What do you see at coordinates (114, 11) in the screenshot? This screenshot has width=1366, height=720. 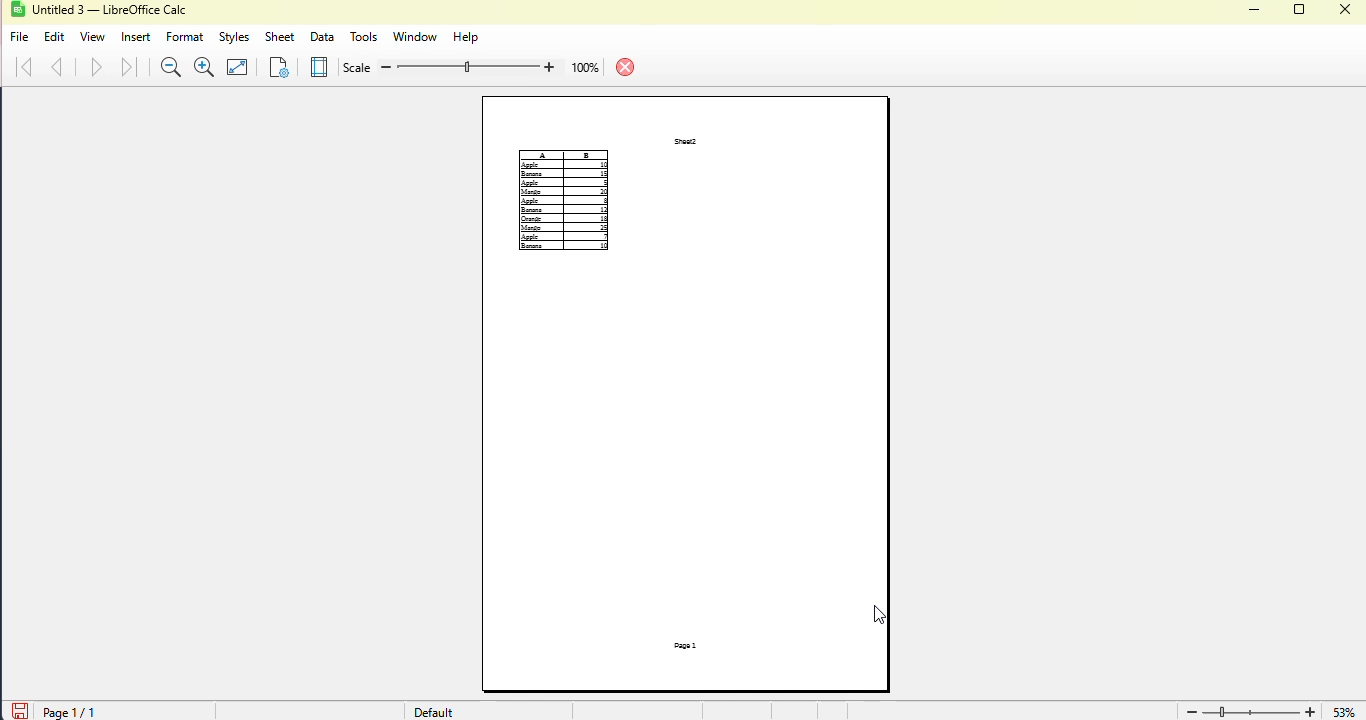 I see `Untitled 3 -- (LibreOffice Calc)` at bounding box center [114, 11].